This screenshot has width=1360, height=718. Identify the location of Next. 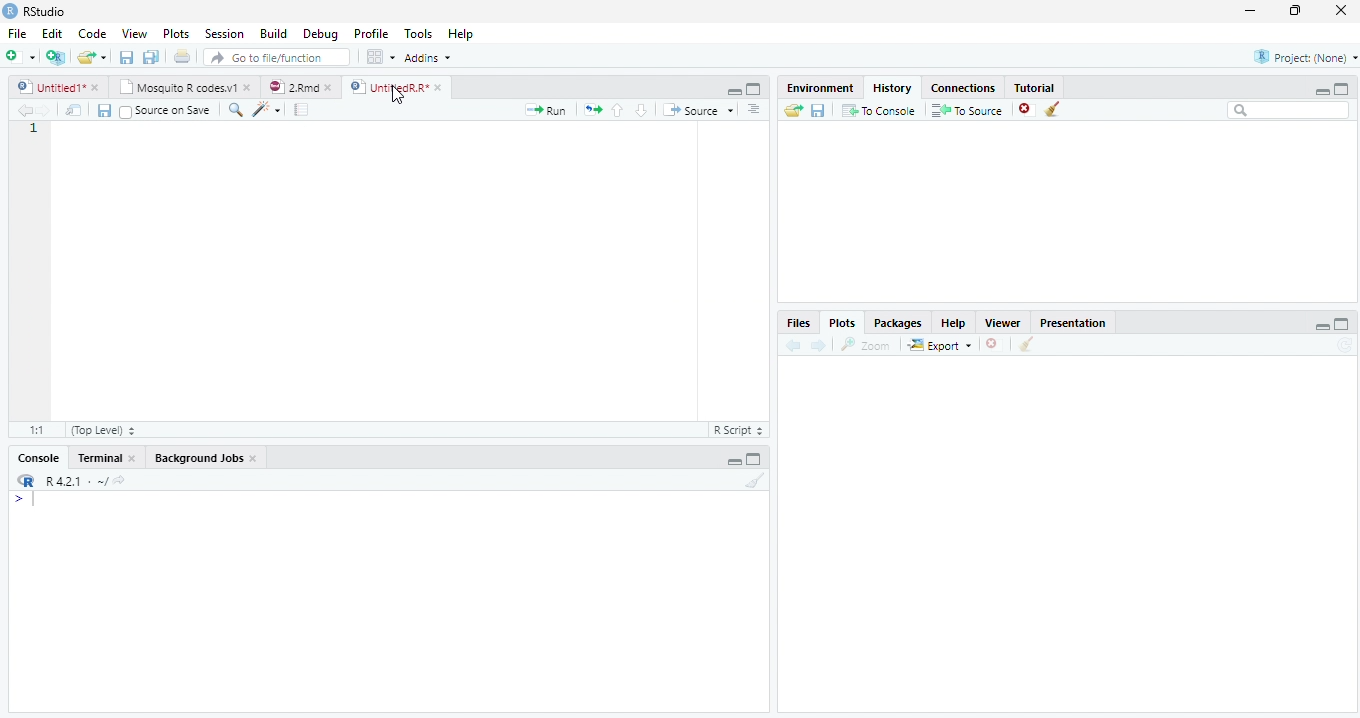
(820, 344).